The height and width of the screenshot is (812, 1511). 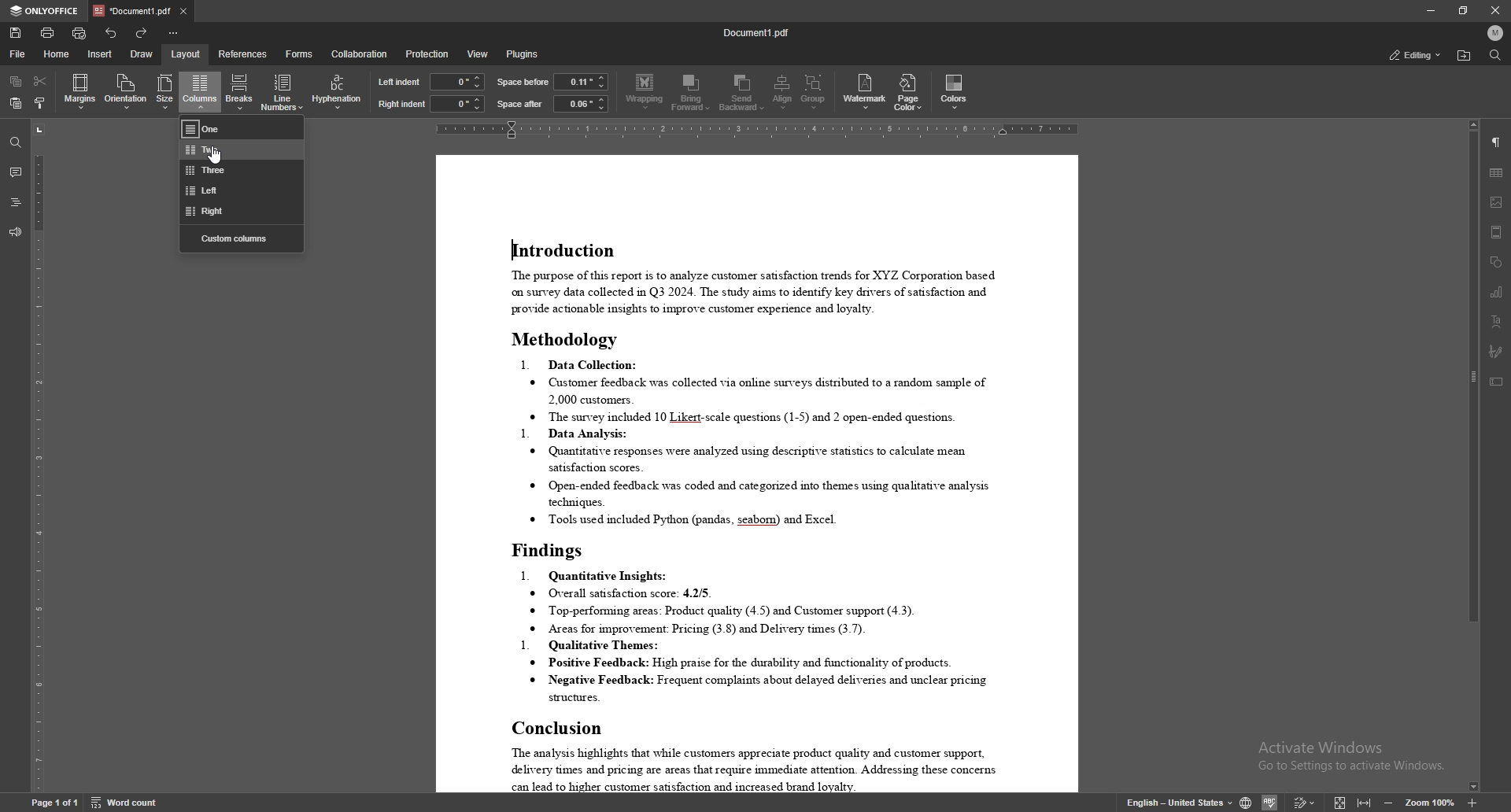 I want to click on page color, so click(x=907, y=92).